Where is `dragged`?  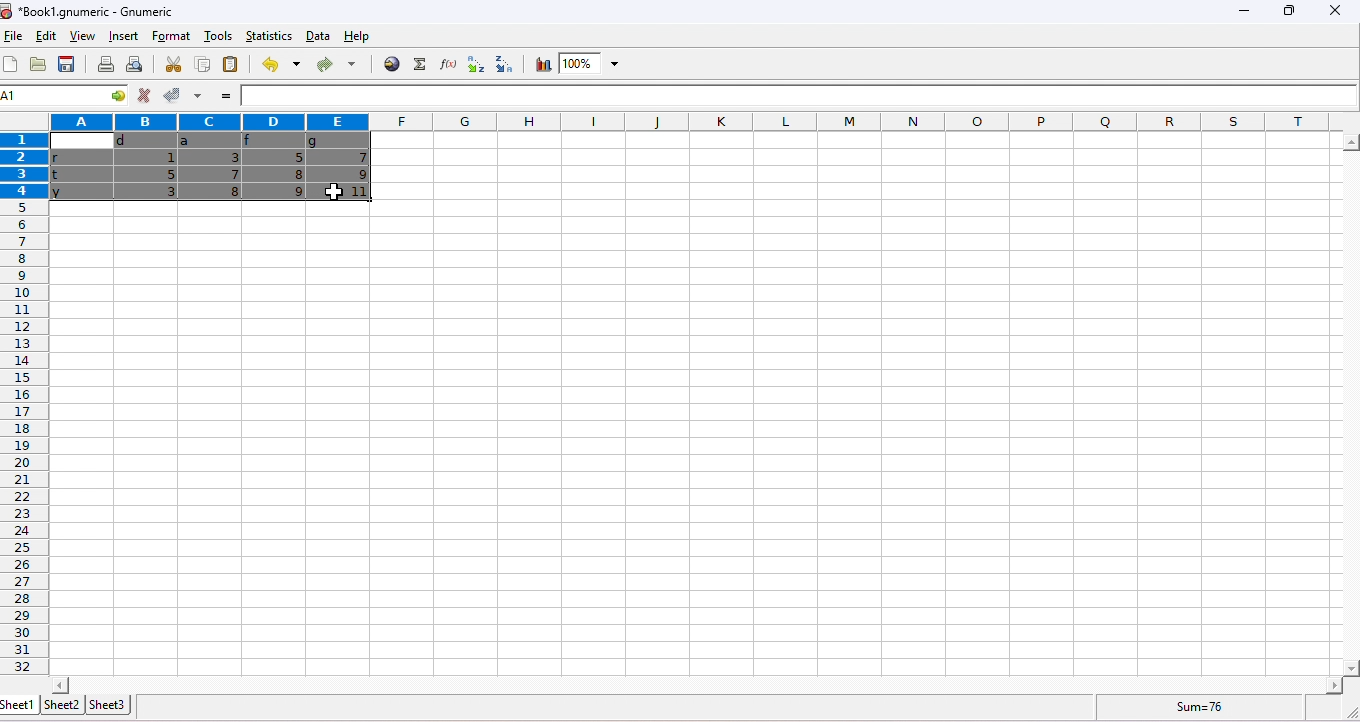 dragged is located at coordinates (208, 170).